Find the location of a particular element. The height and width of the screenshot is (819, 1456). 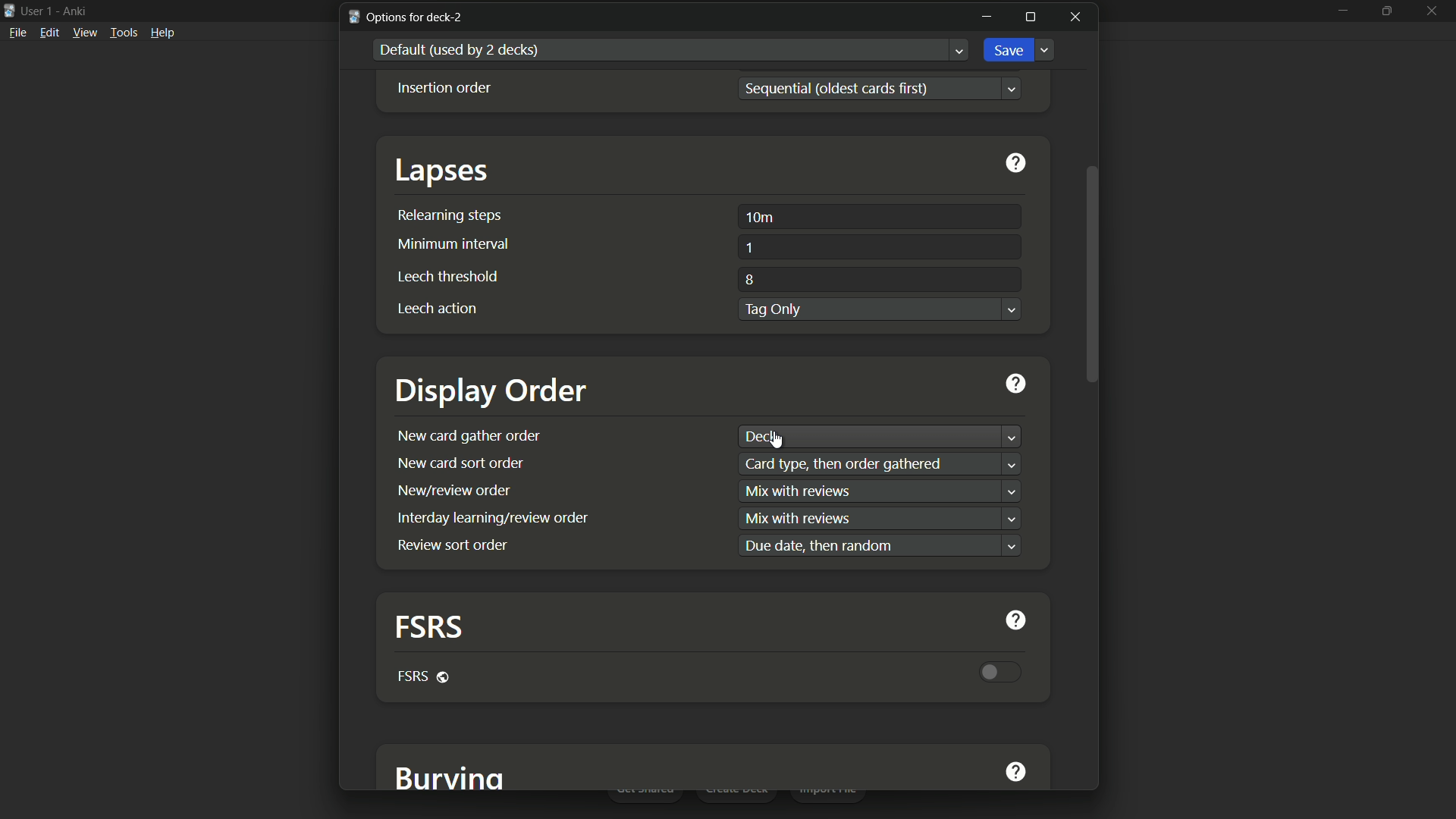

Dropdown is located at coordinates (1010, 310).